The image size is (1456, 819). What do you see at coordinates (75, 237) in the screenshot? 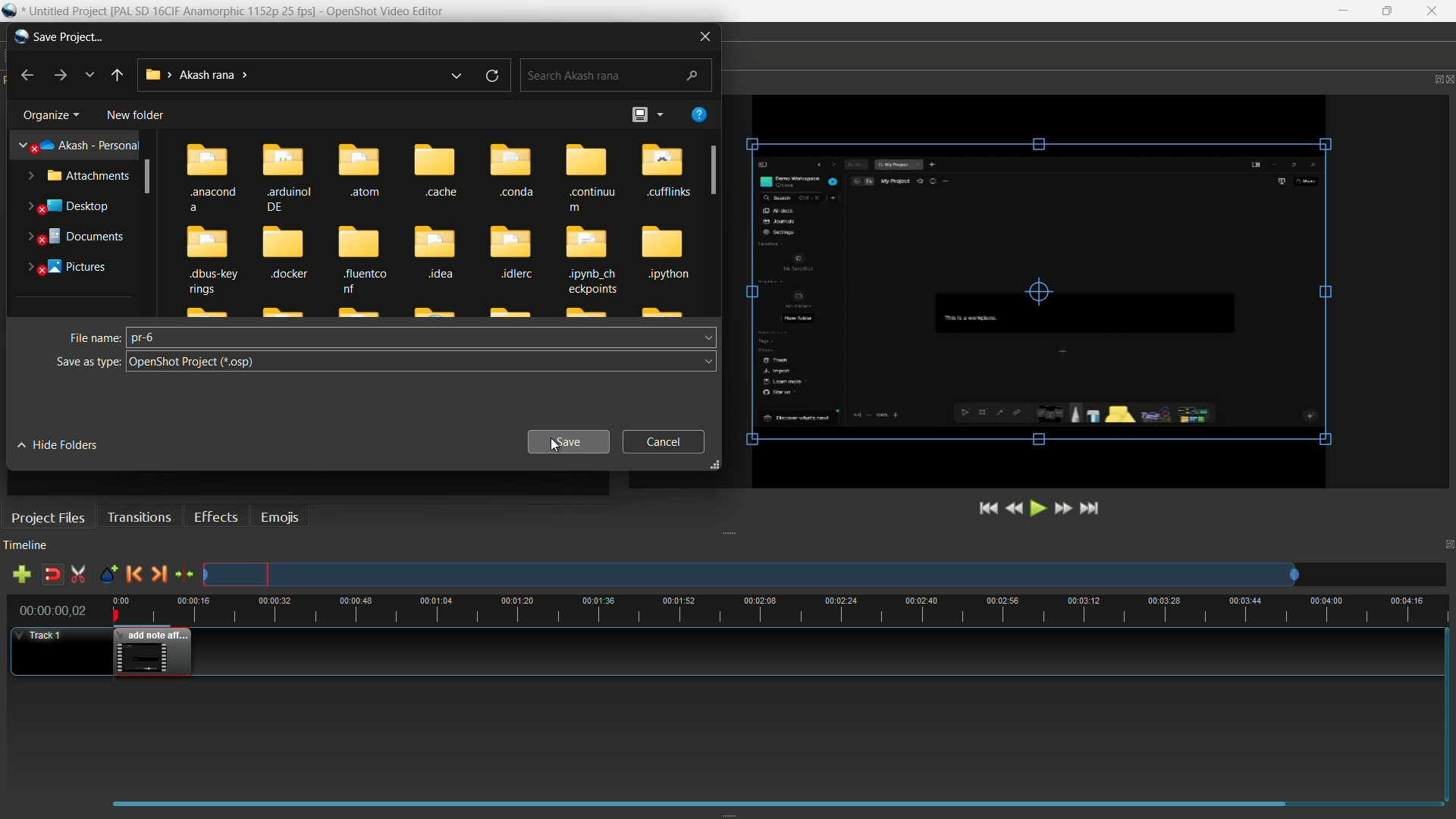
I see `documents` at bounding box center [75, 237].